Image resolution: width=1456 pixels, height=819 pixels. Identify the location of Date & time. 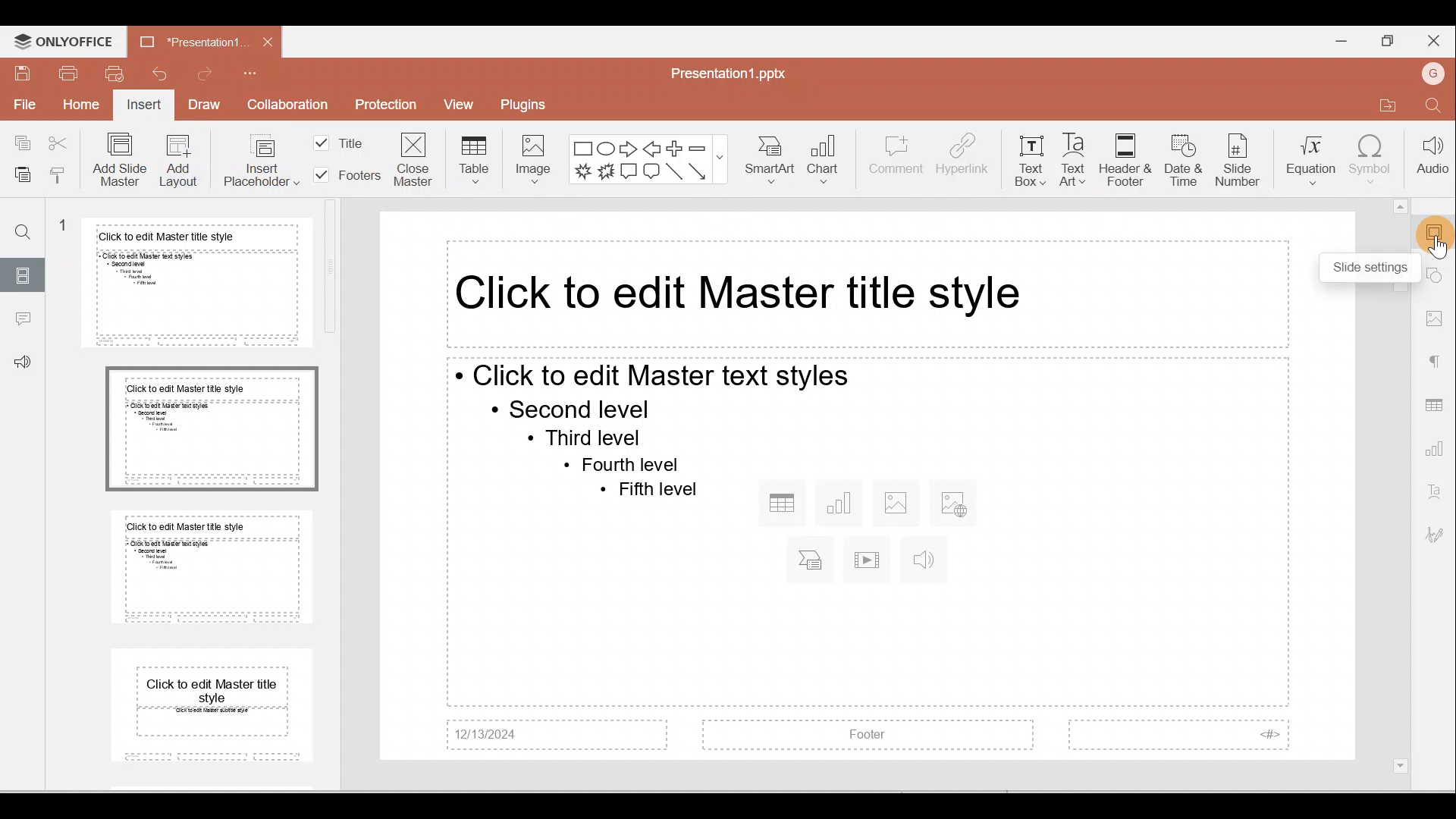
(1184, 161).